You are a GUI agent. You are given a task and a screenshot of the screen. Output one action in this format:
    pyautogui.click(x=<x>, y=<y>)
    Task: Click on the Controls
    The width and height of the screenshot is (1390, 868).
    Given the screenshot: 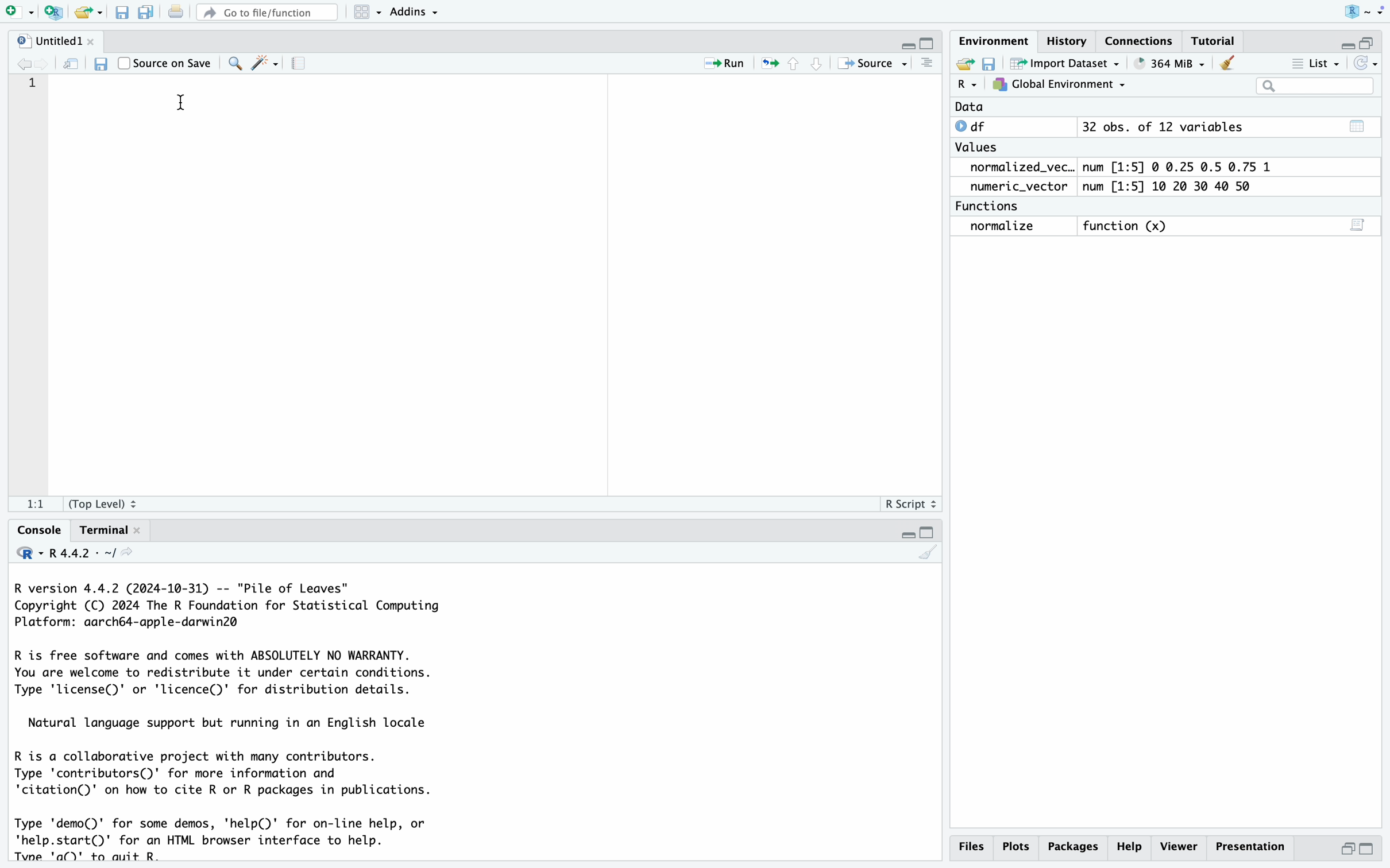 What is the action you would take?
    pyautogui.click(x=793, y=63)
    